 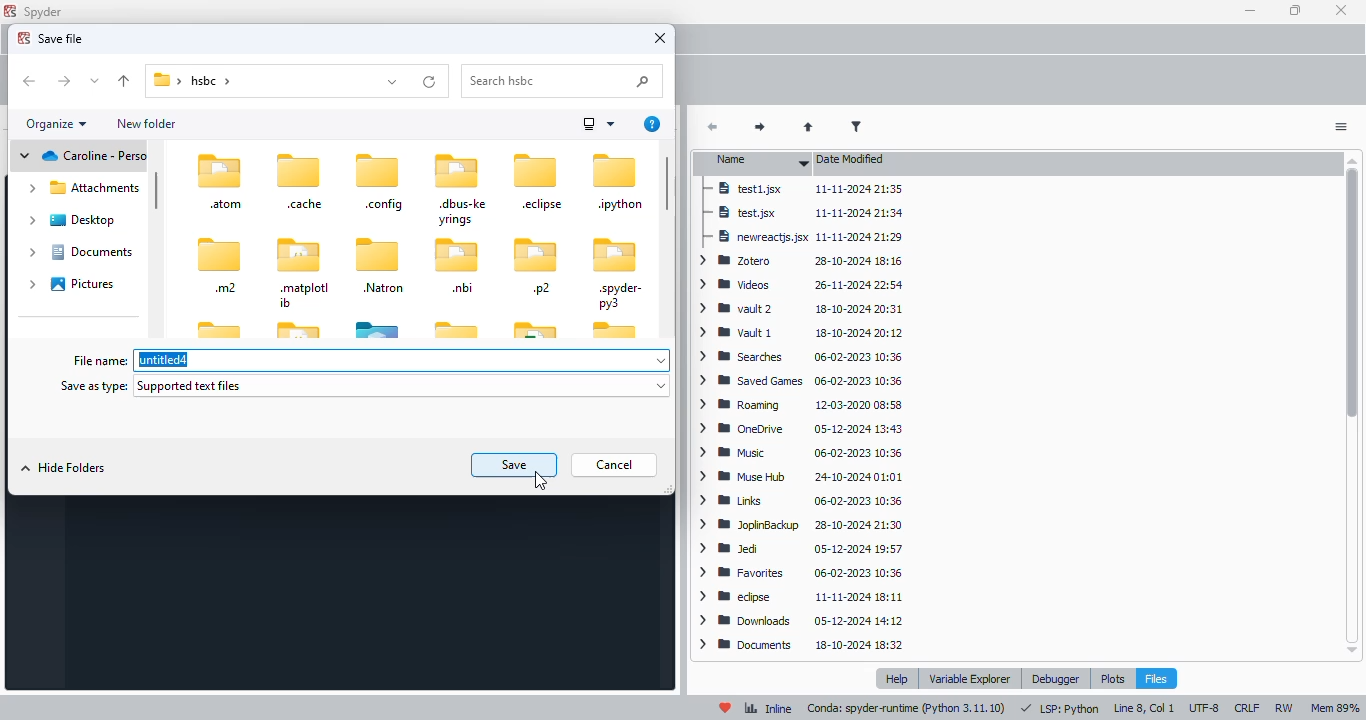 I want to click on Documents, so click(x=82, y=251).